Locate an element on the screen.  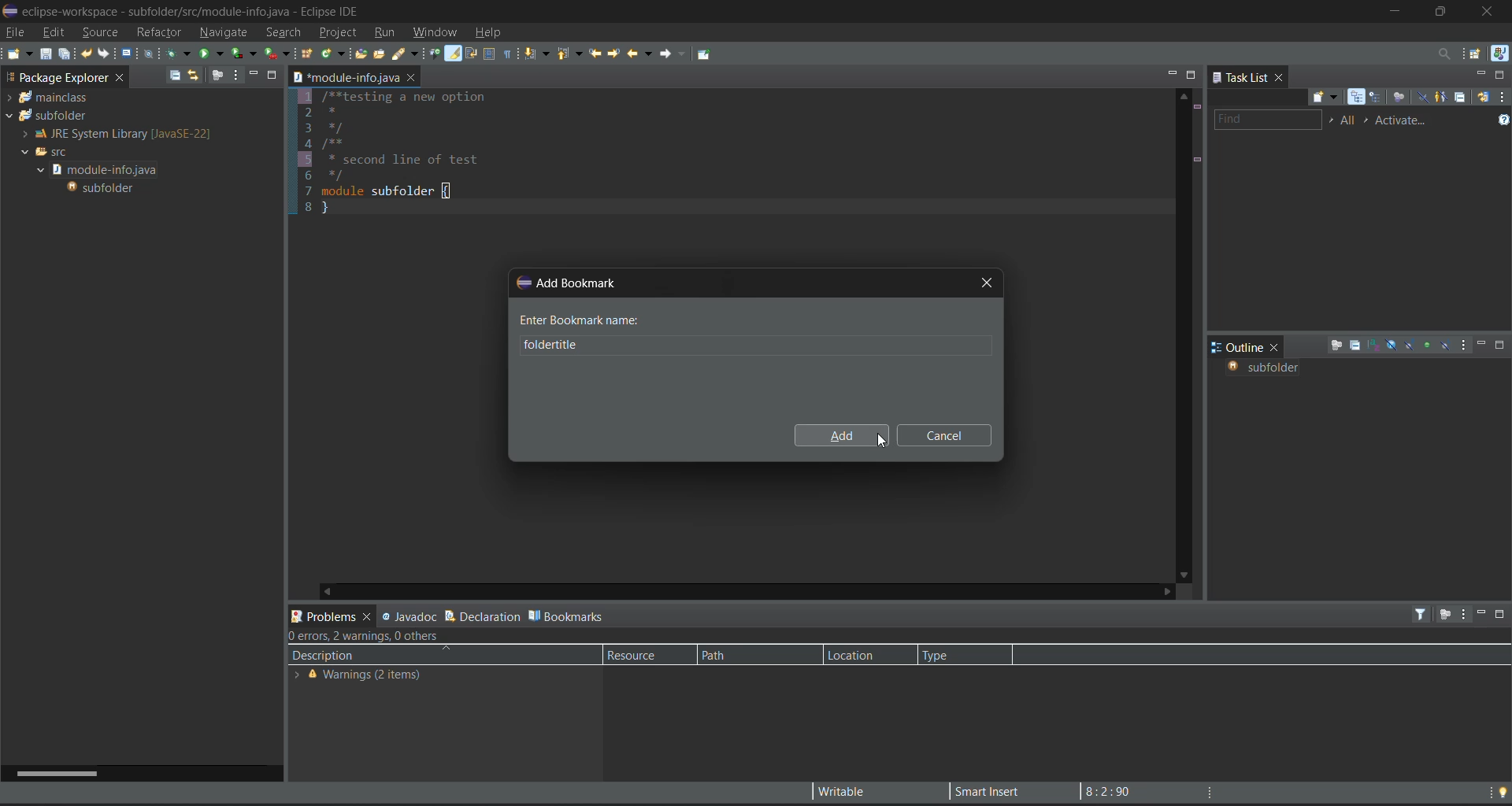
type is located at coordinates (950, 654).